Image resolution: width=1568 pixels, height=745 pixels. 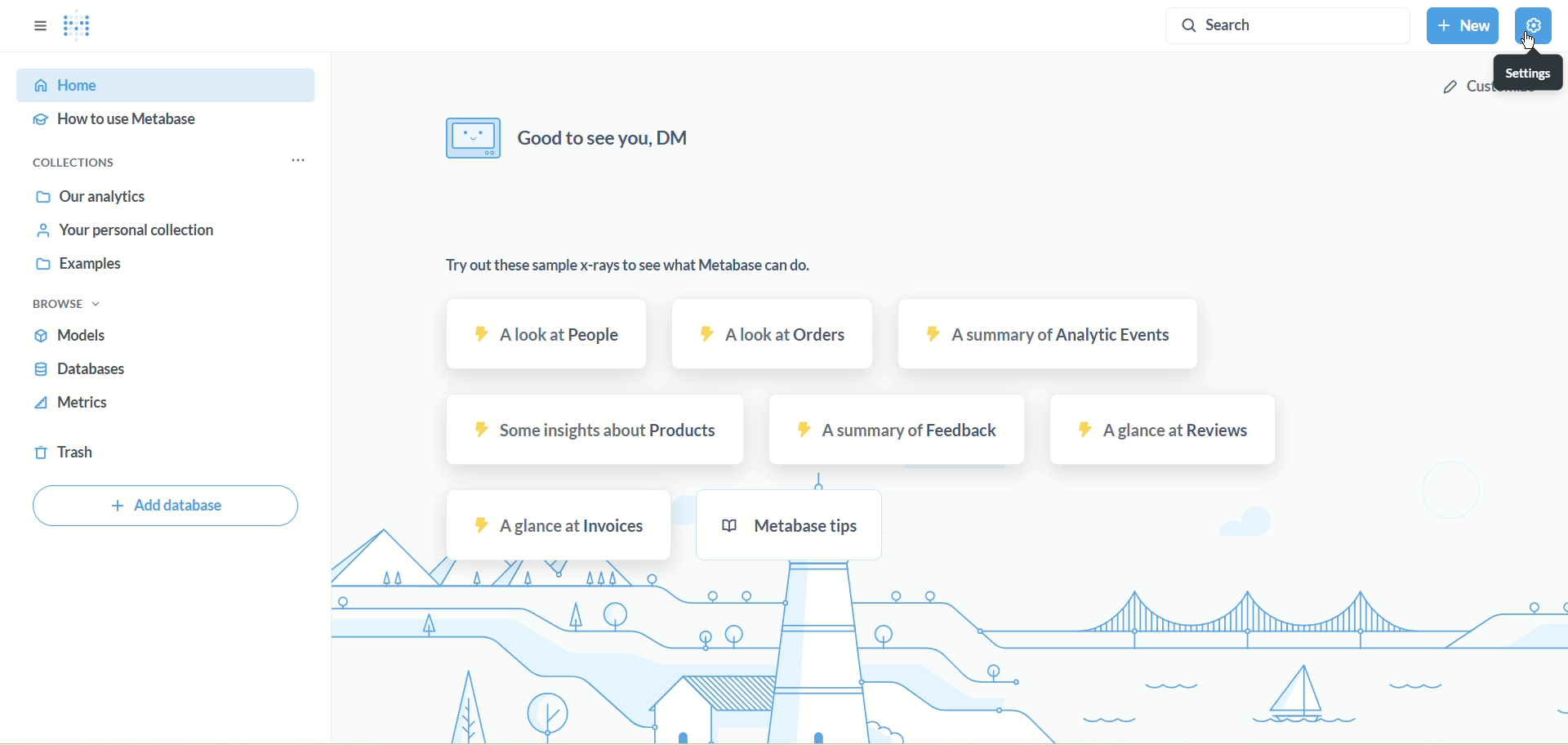 I want to click on add database, so click(x=168, y=505).